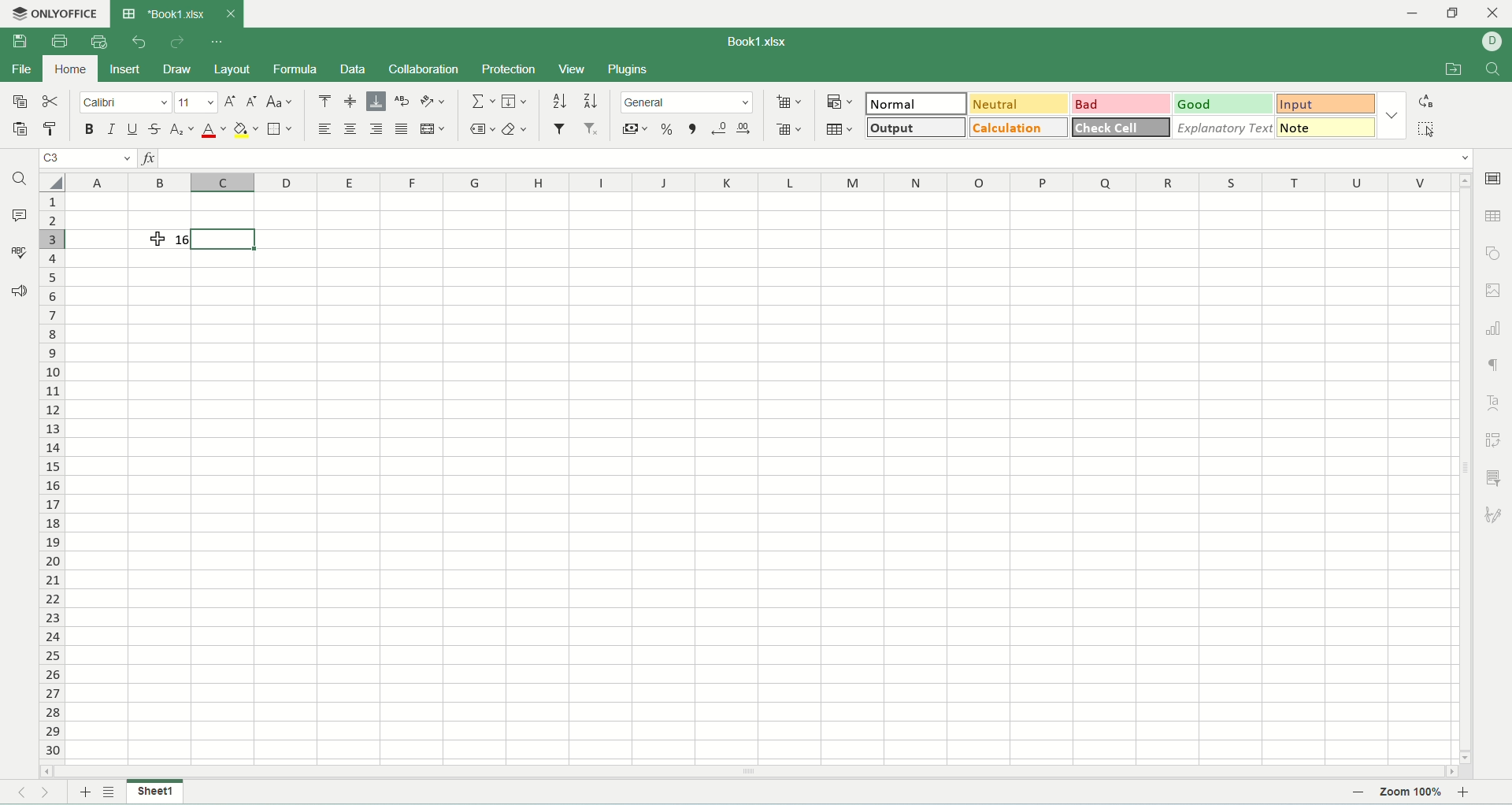 Image resolution: width=1512 pixels, height=805 pixels. Describe the element at coordinates (591, 100) in the screenshot. I see `sort descending` at that location.